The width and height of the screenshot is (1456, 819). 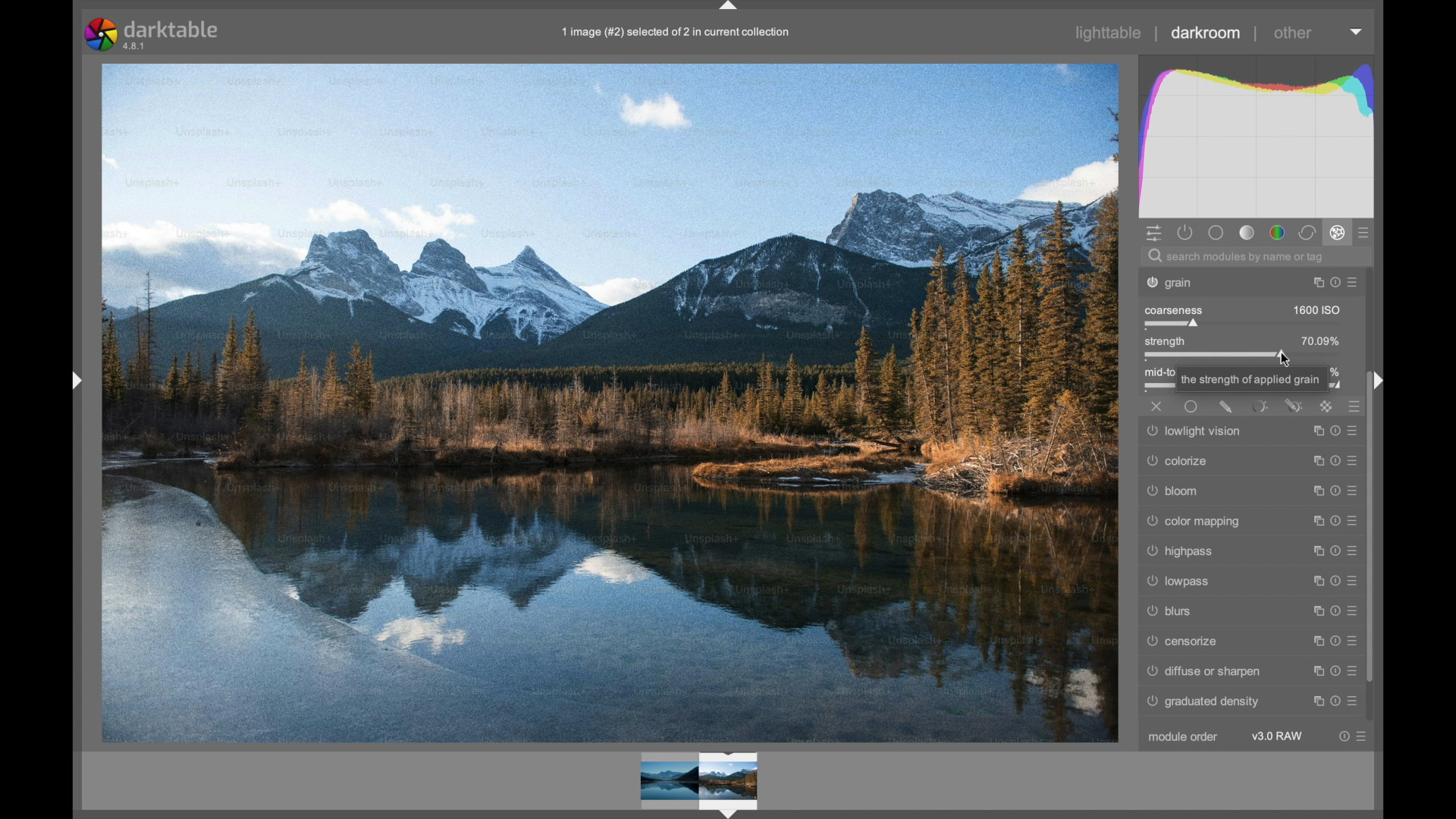 I want to click on Drag handle, so click(x=74, y=379).